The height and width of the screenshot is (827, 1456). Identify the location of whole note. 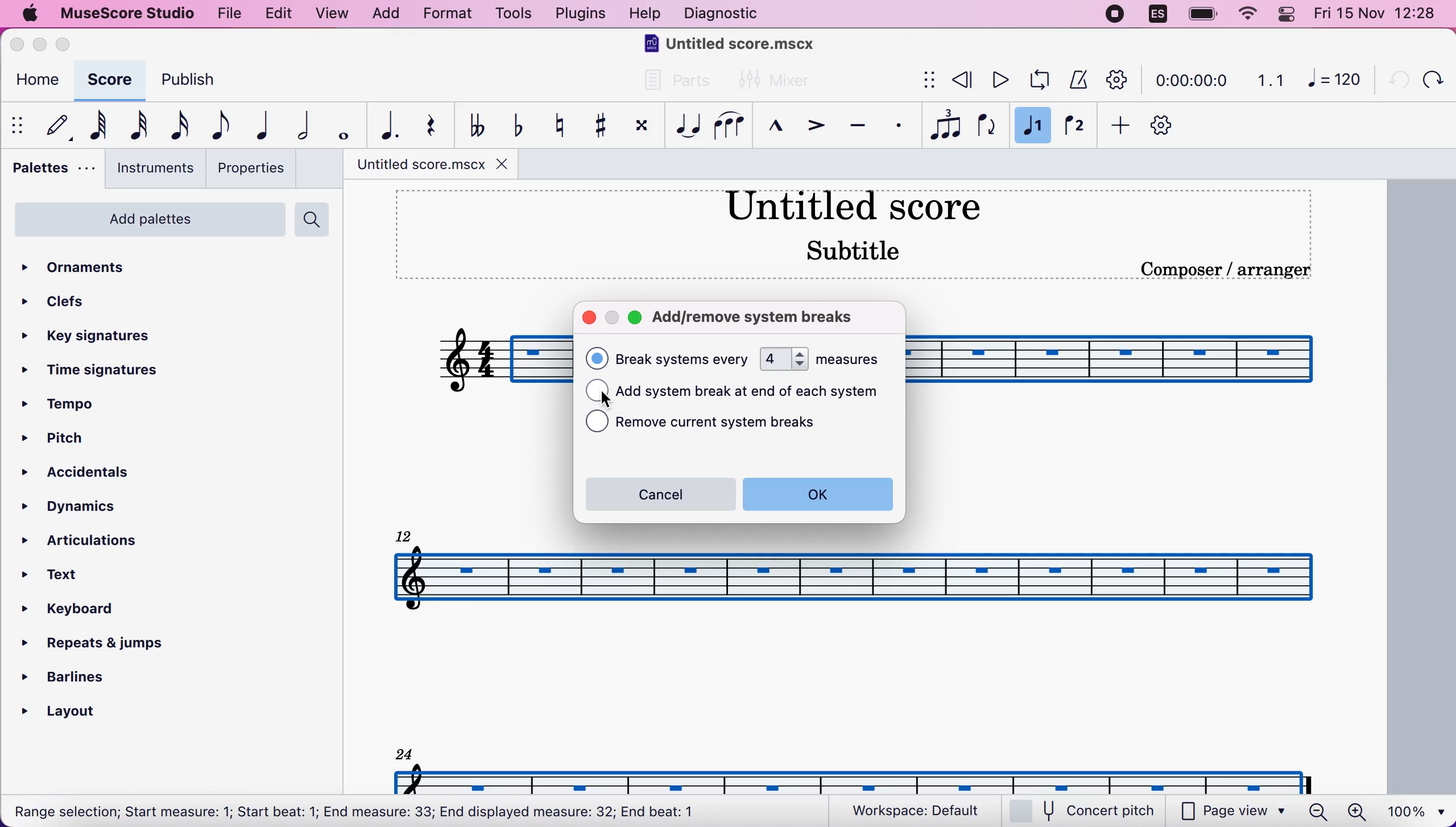
(340, 126).